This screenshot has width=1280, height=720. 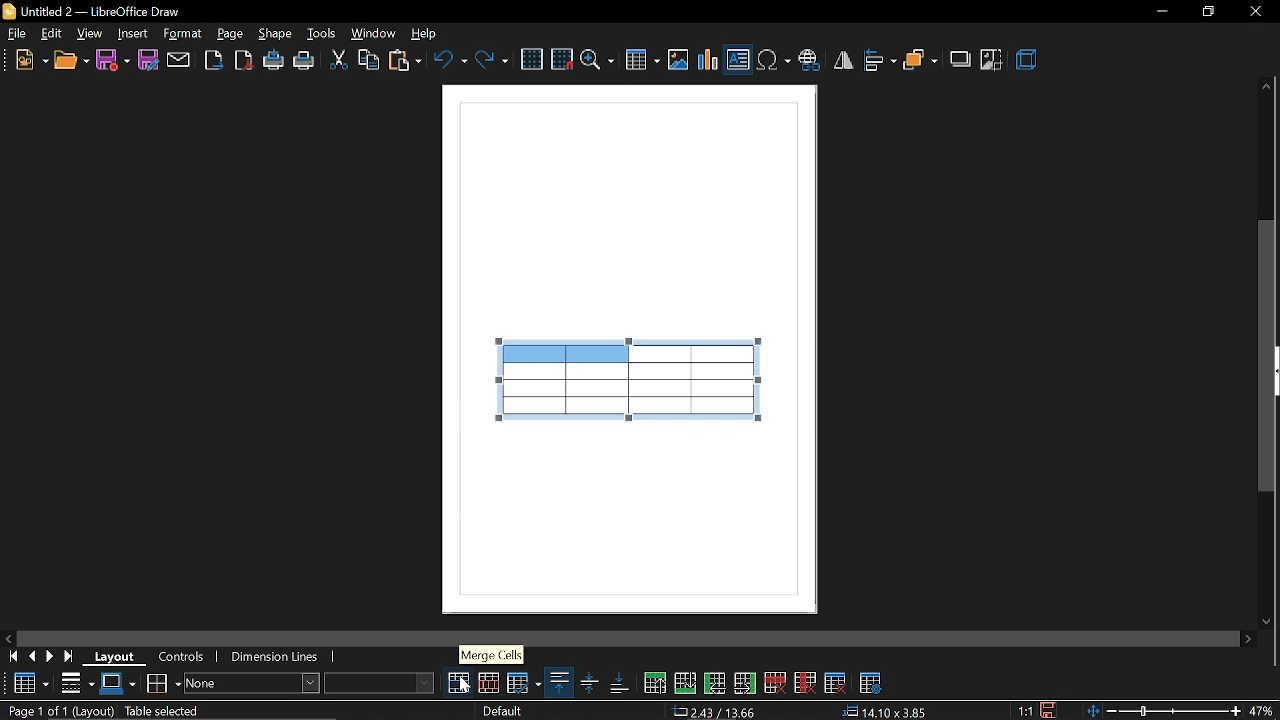 I want to click on align bottom, so click(x=620, y=682).